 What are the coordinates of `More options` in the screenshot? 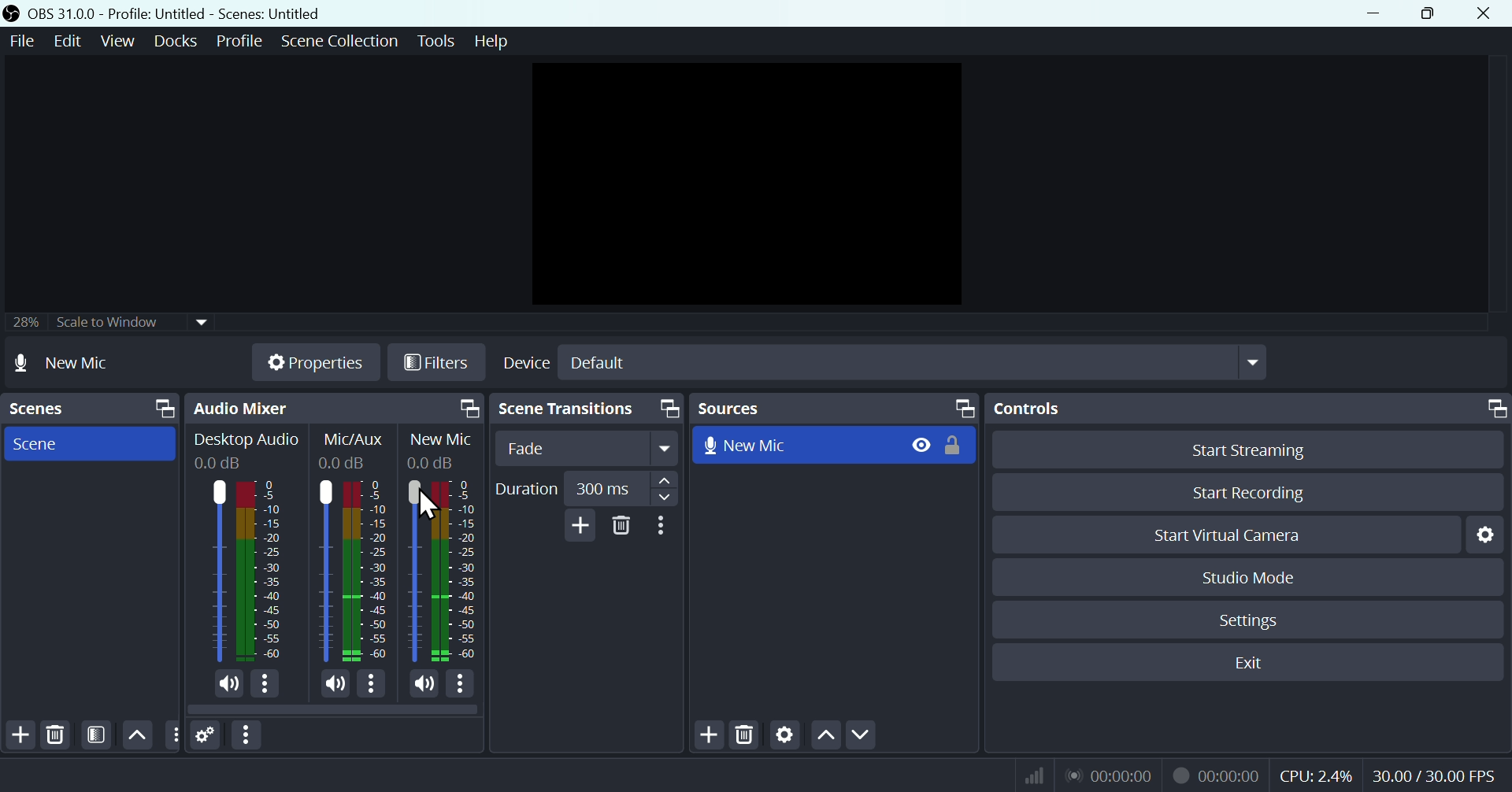 It's located at (461, 685).